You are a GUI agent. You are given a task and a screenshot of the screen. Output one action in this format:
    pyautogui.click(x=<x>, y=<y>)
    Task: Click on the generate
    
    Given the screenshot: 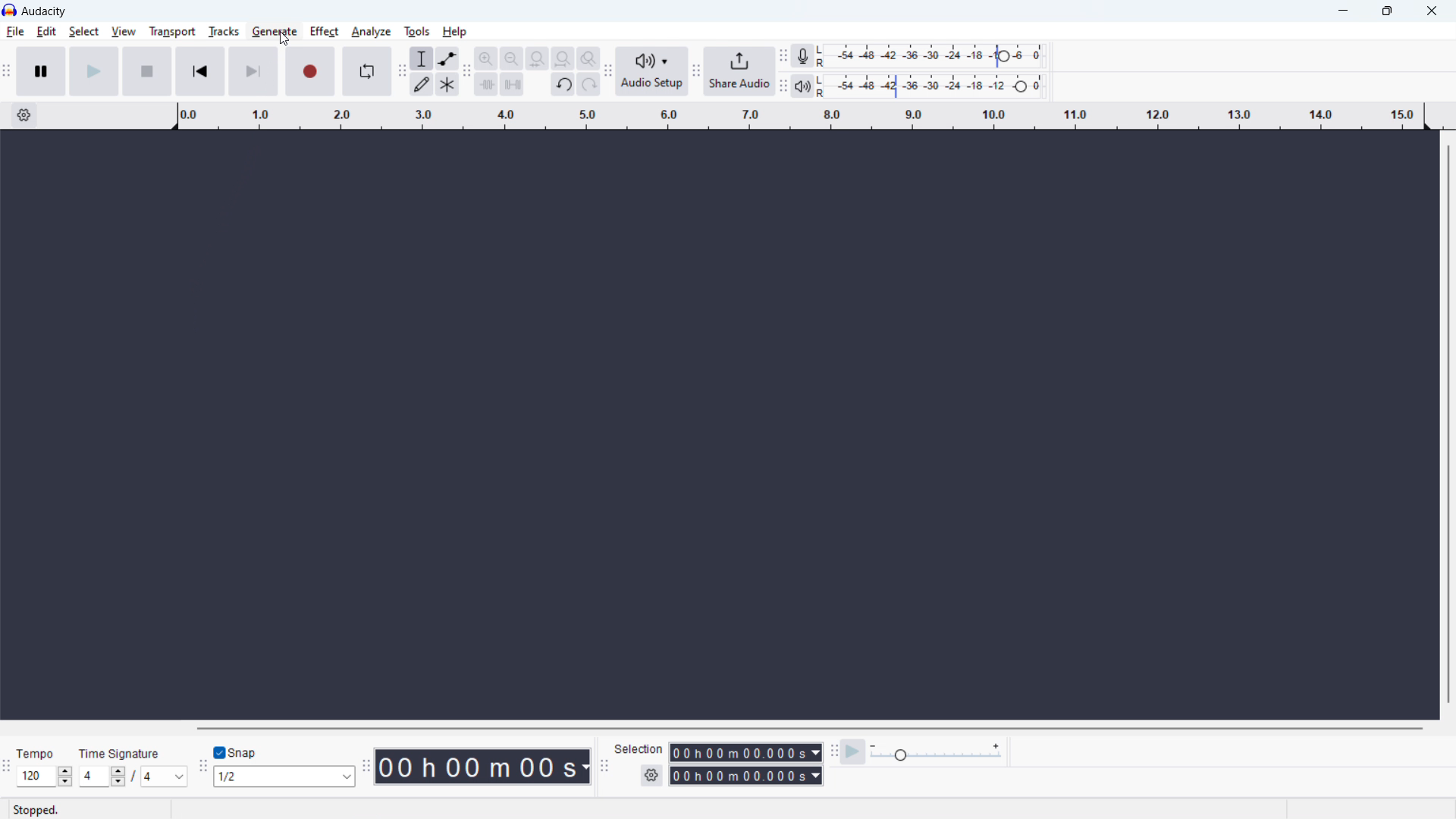 What is the action you would take?
    pyautogui.click(x=275, y=31)
    